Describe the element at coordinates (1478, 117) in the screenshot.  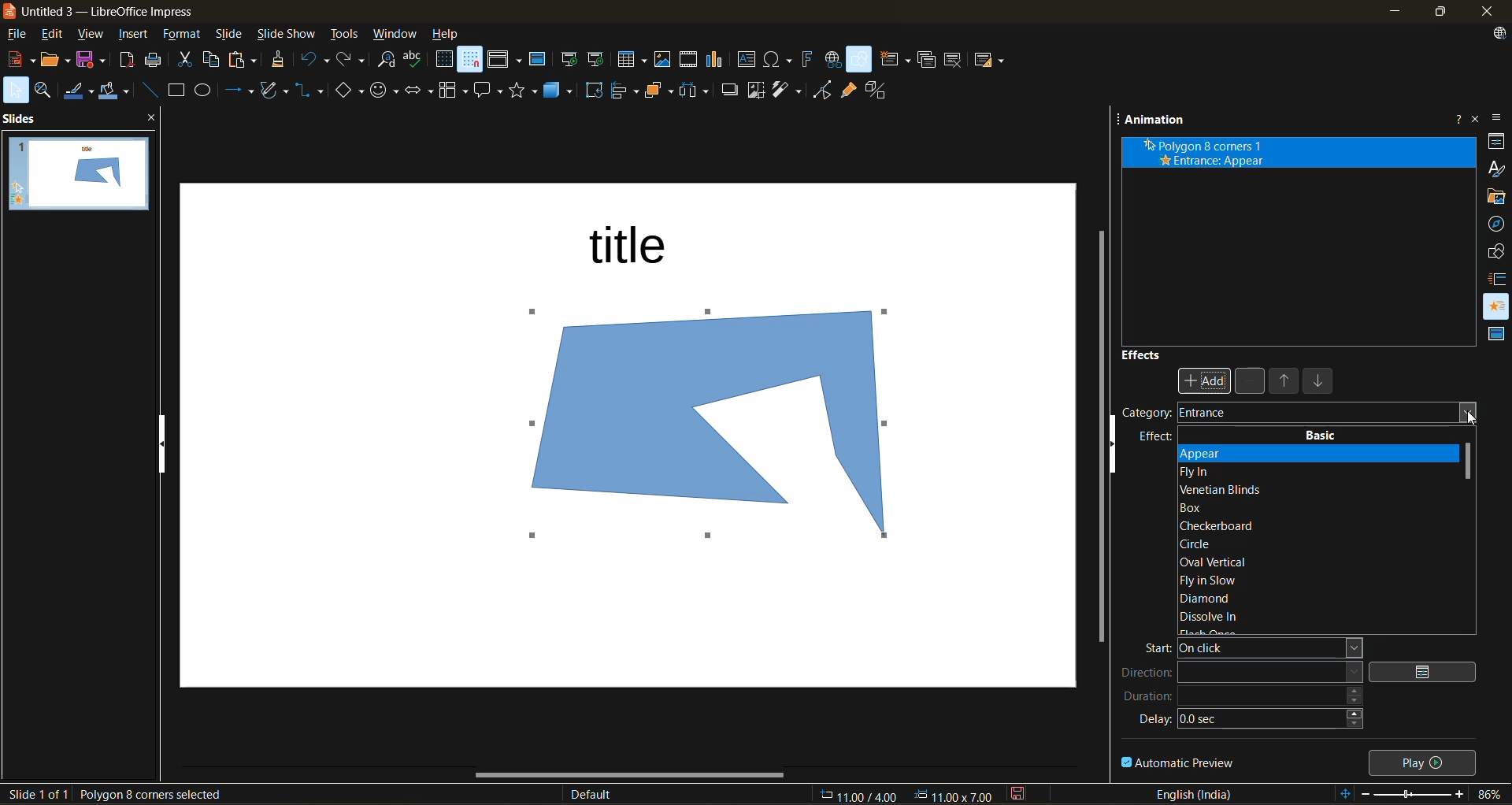
I see `close sidebar deck` at that location.